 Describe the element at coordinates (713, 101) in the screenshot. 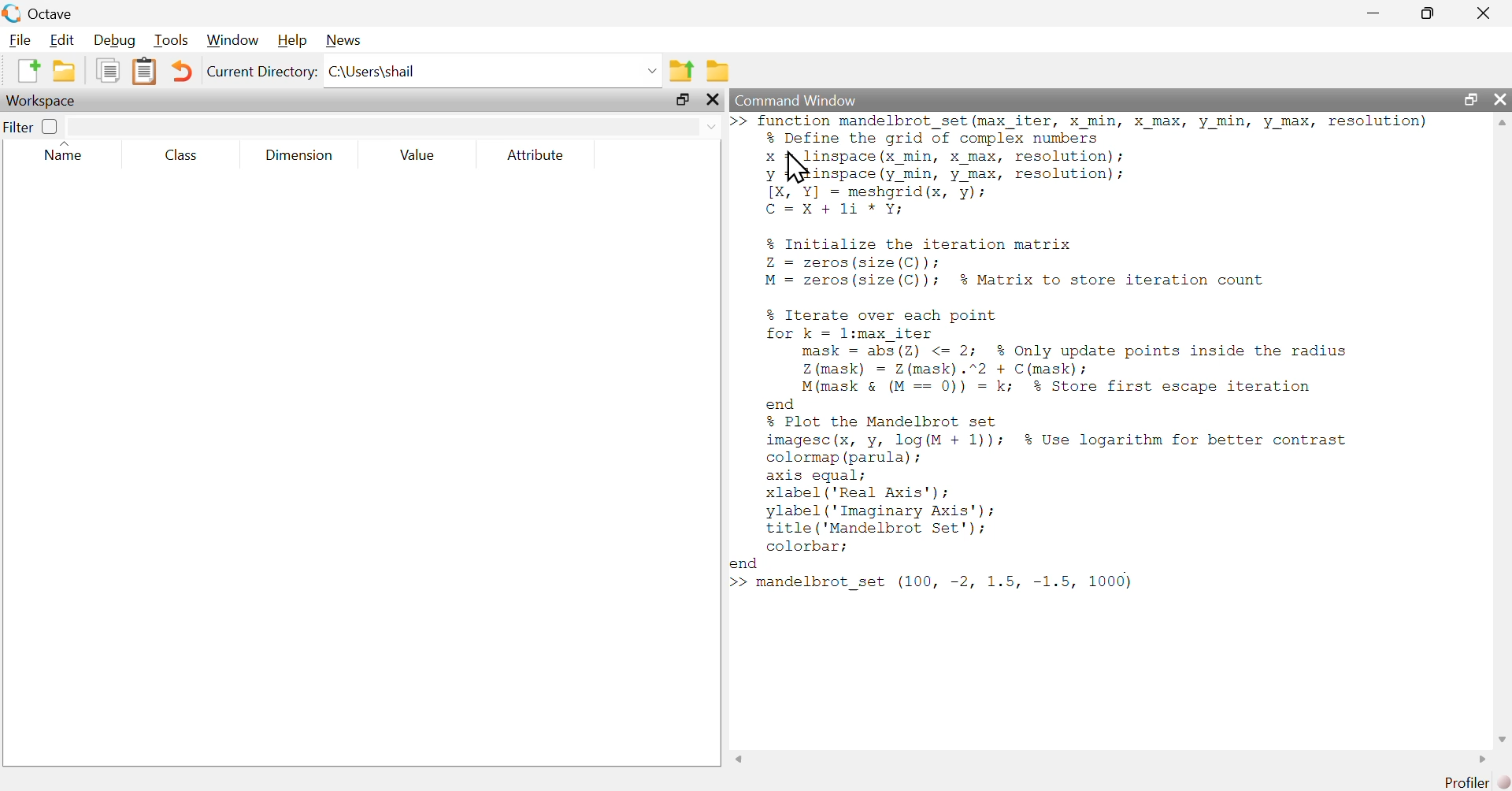

I see `close` at that location.